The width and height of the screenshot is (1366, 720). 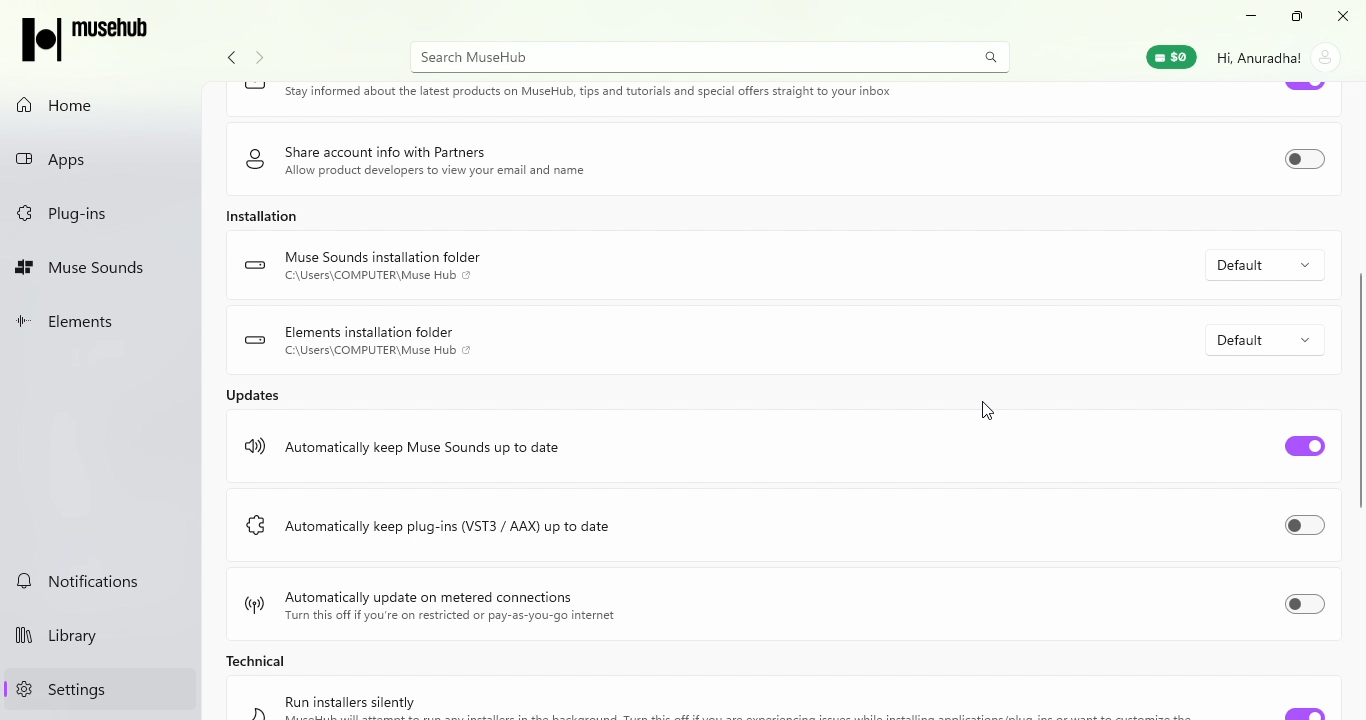 I want to click on Settings, so click(x=97, y=689).